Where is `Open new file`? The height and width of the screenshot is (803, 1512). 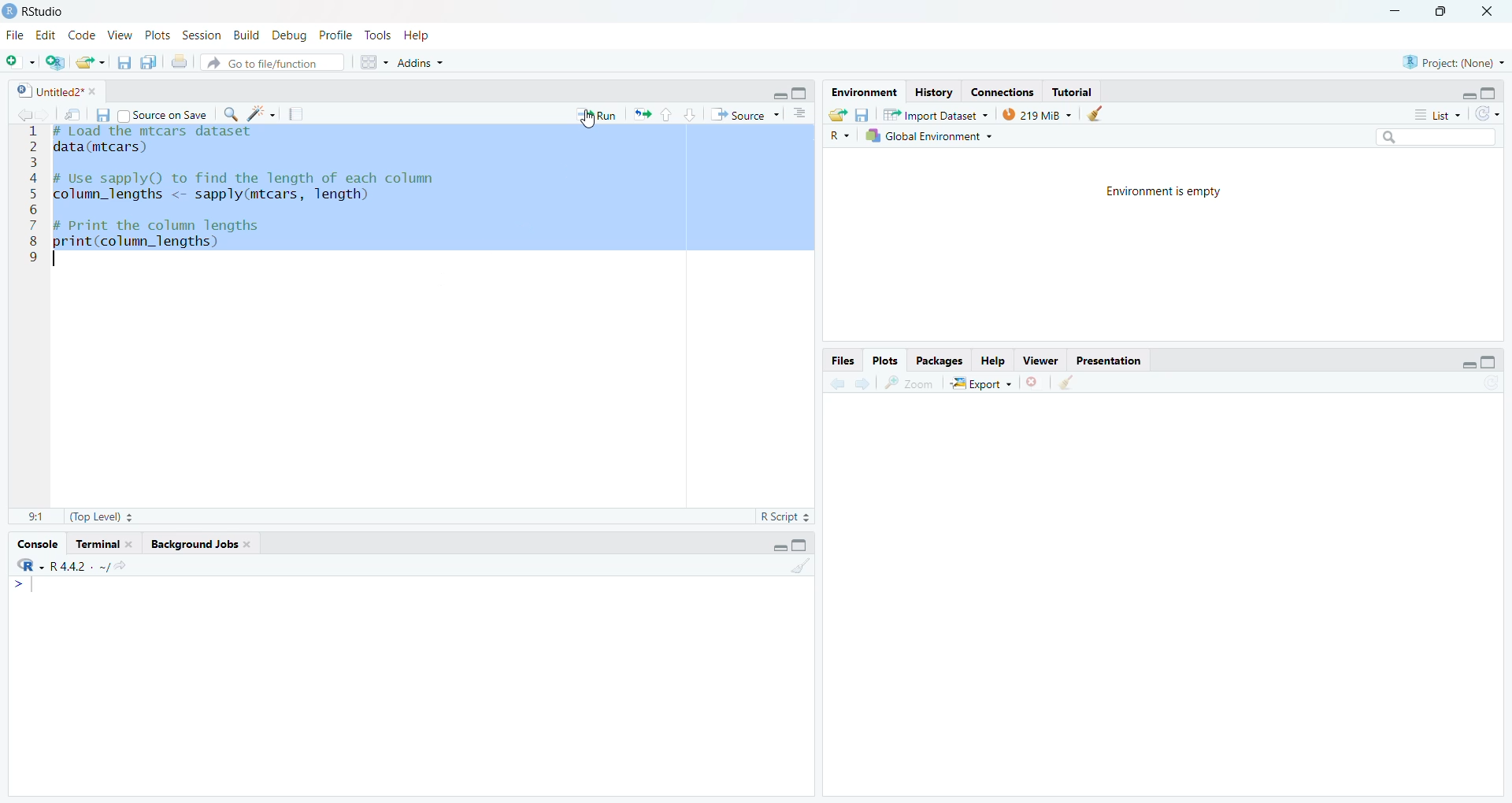
Open new file is located at coordinates (20, 62).